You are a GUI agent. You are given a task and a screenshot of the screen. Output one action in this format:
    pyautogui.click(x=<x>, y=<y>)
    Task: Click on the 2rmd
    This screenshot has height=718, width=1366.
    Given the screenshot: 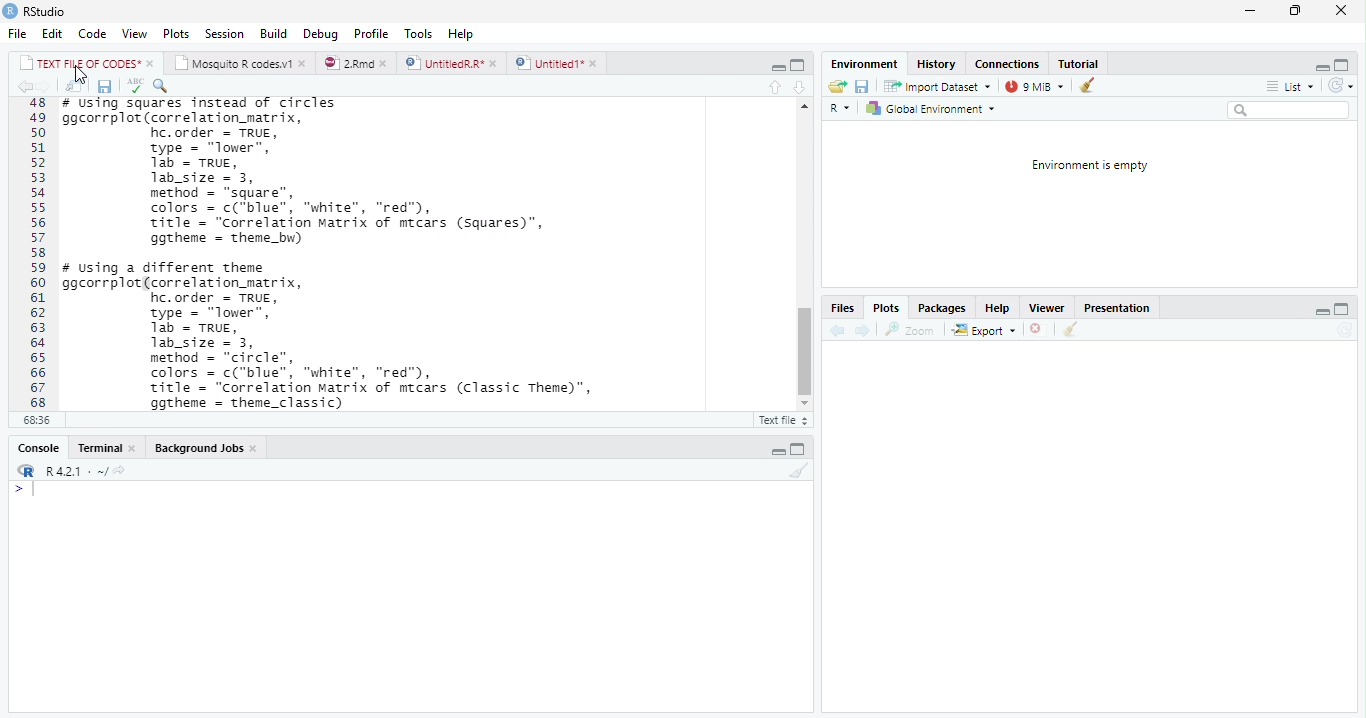 What is the action you would take?
    pyautogui.click(x=356, y=62)
    